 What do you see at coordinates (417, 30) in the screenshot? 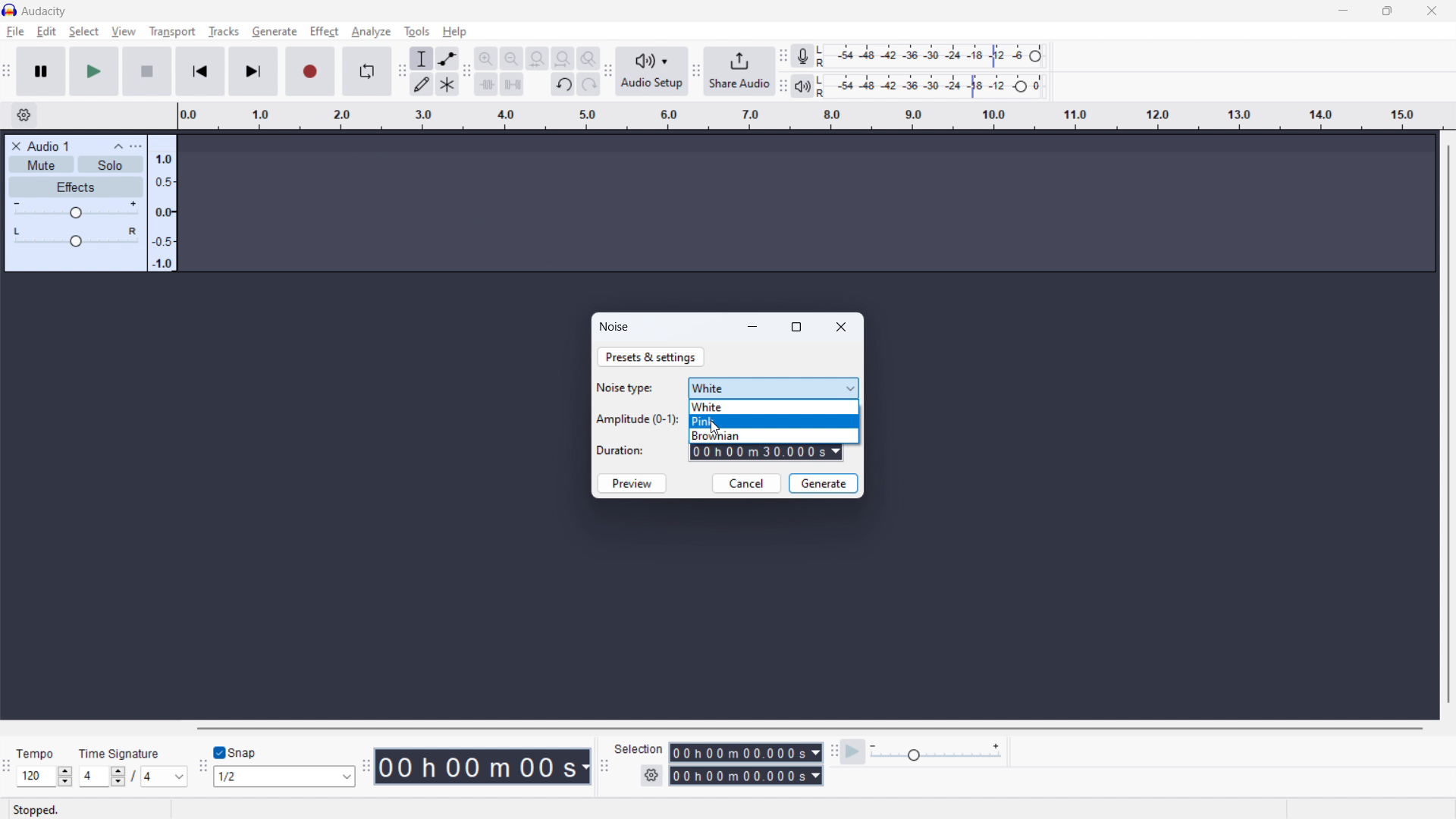
I see `tools` at bounding box center [417, 30].